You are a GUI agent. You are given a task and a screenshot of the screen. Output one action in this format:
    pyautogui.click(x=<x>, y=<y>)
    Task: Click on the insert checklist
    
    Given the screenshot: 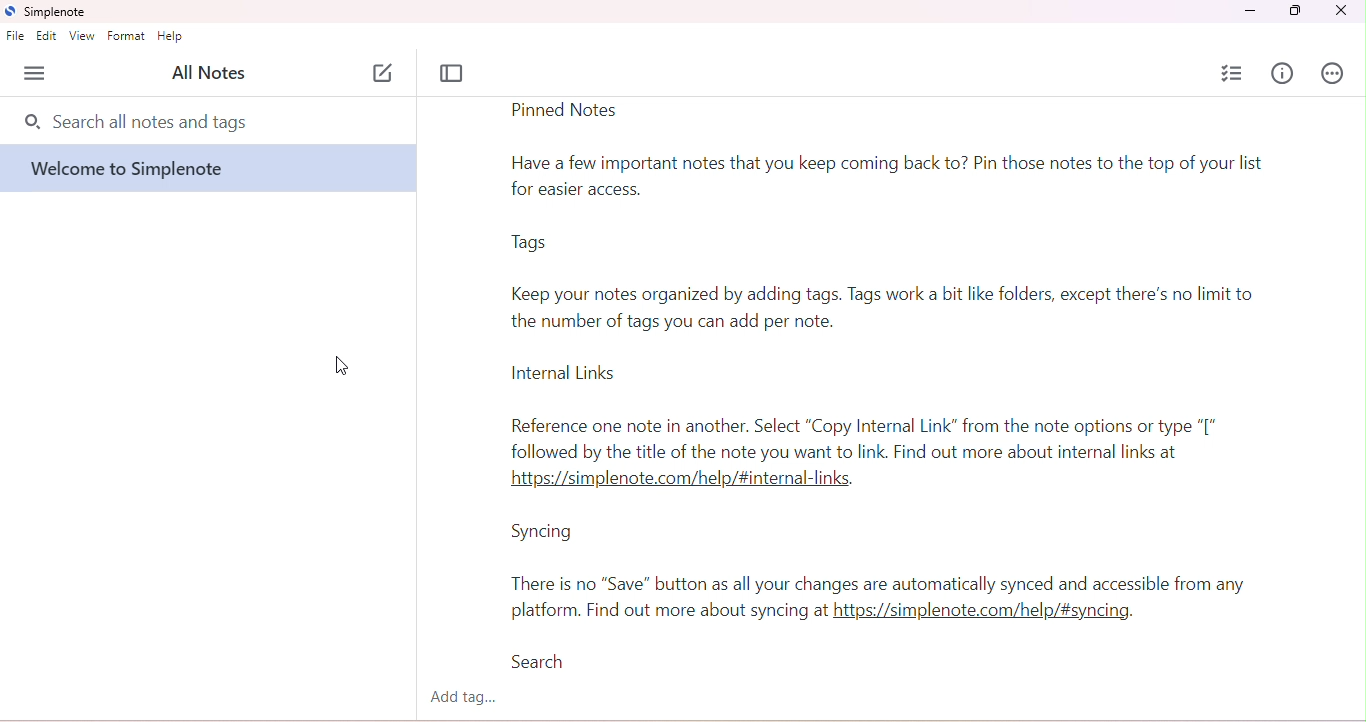 What is the action you would take?
    pyautogui.click(x=1234, y=74)
    